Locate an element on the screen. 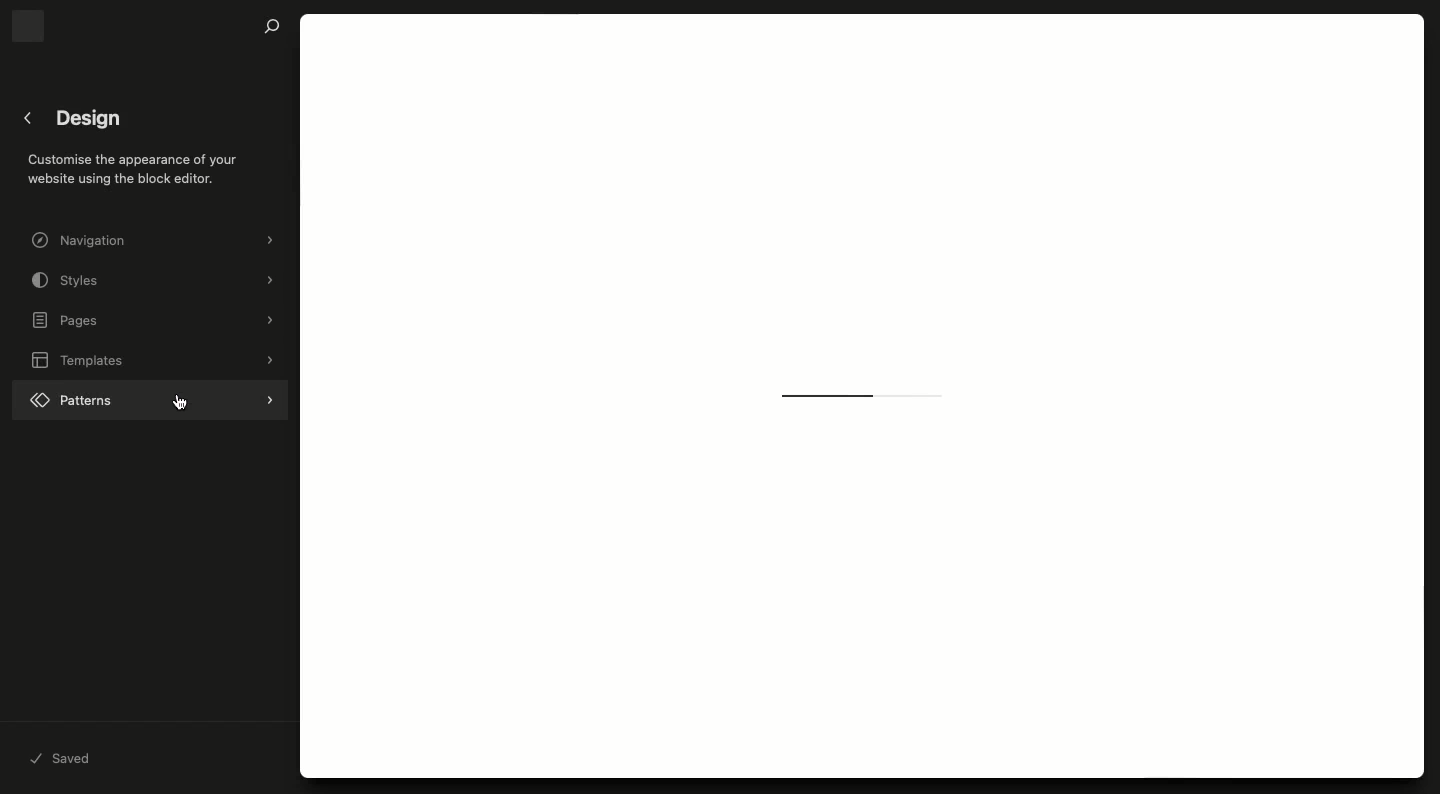 This screenshot has width=1440, height=794. Patterns is located at coordinates (150, 397).